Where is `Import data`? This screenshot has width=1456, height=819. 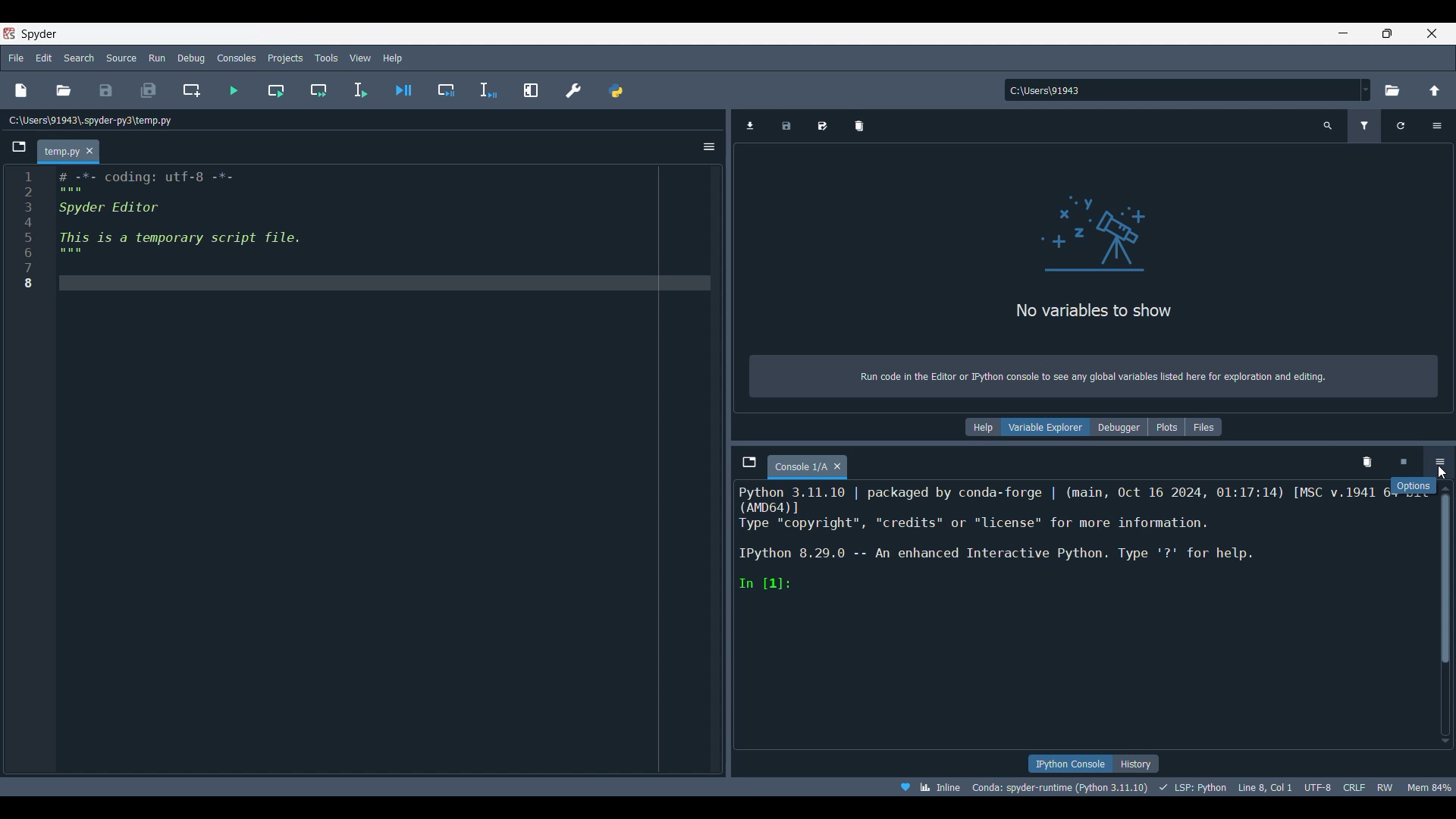
Import data is located at coordinates (750, 126).